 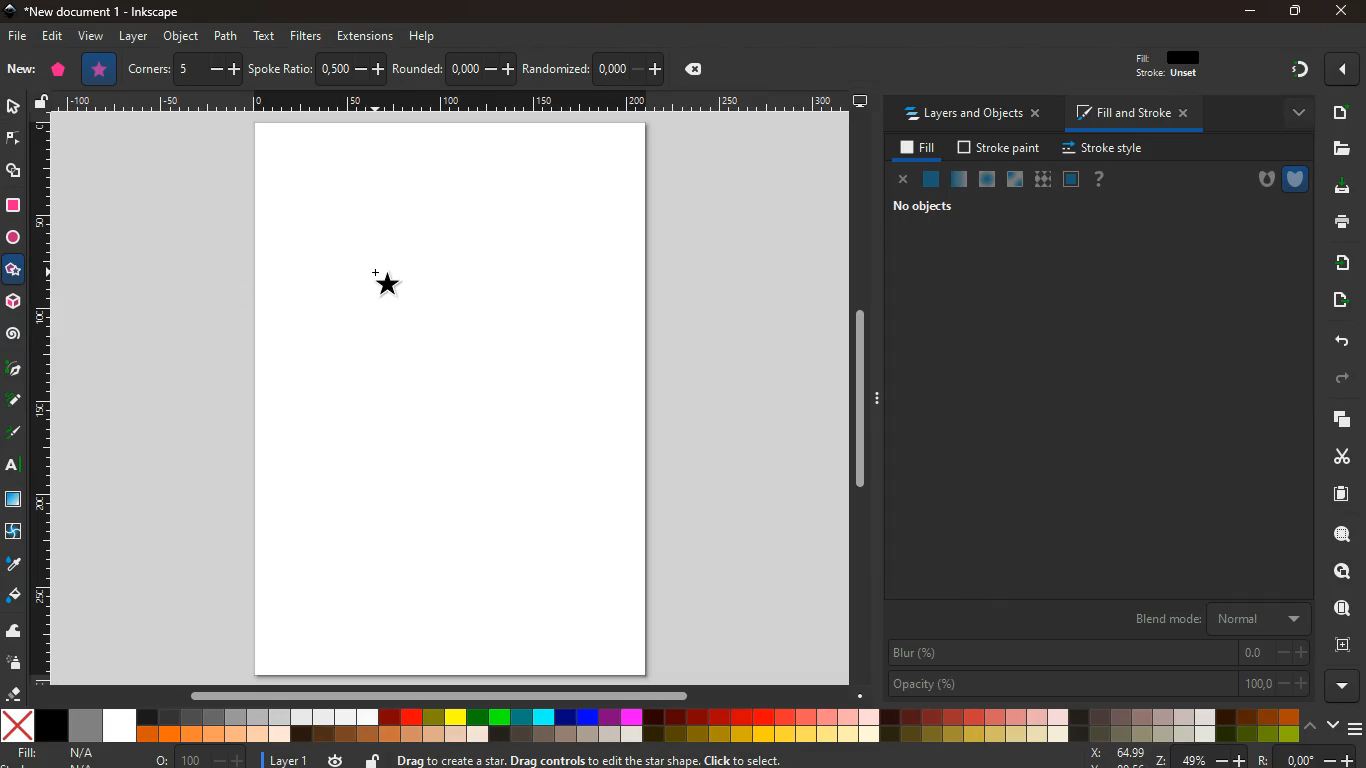 I want to click on shape cursor, so click(x=396, y=286).